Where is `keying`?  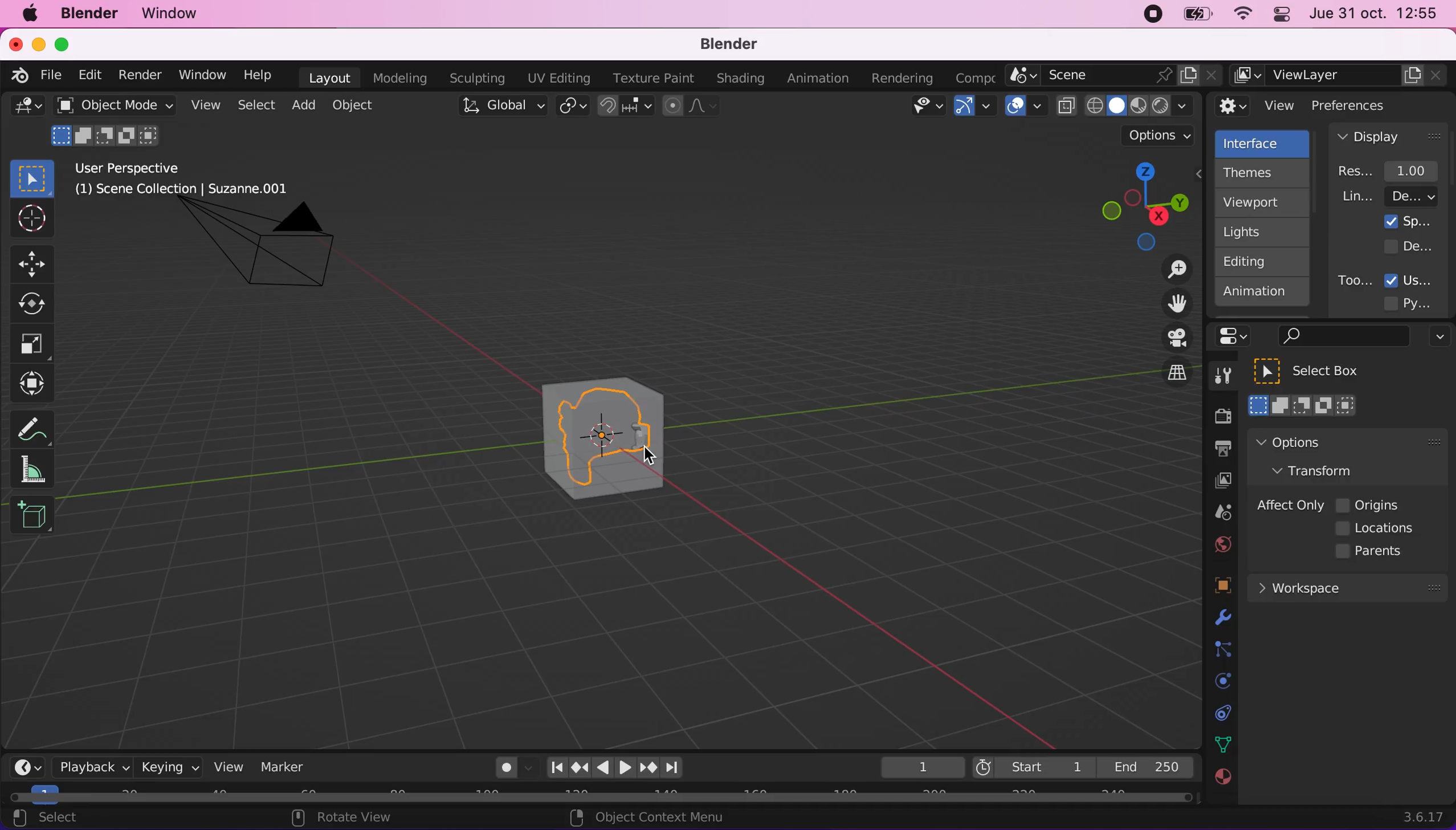 keying is located at coordinates (168, 767).